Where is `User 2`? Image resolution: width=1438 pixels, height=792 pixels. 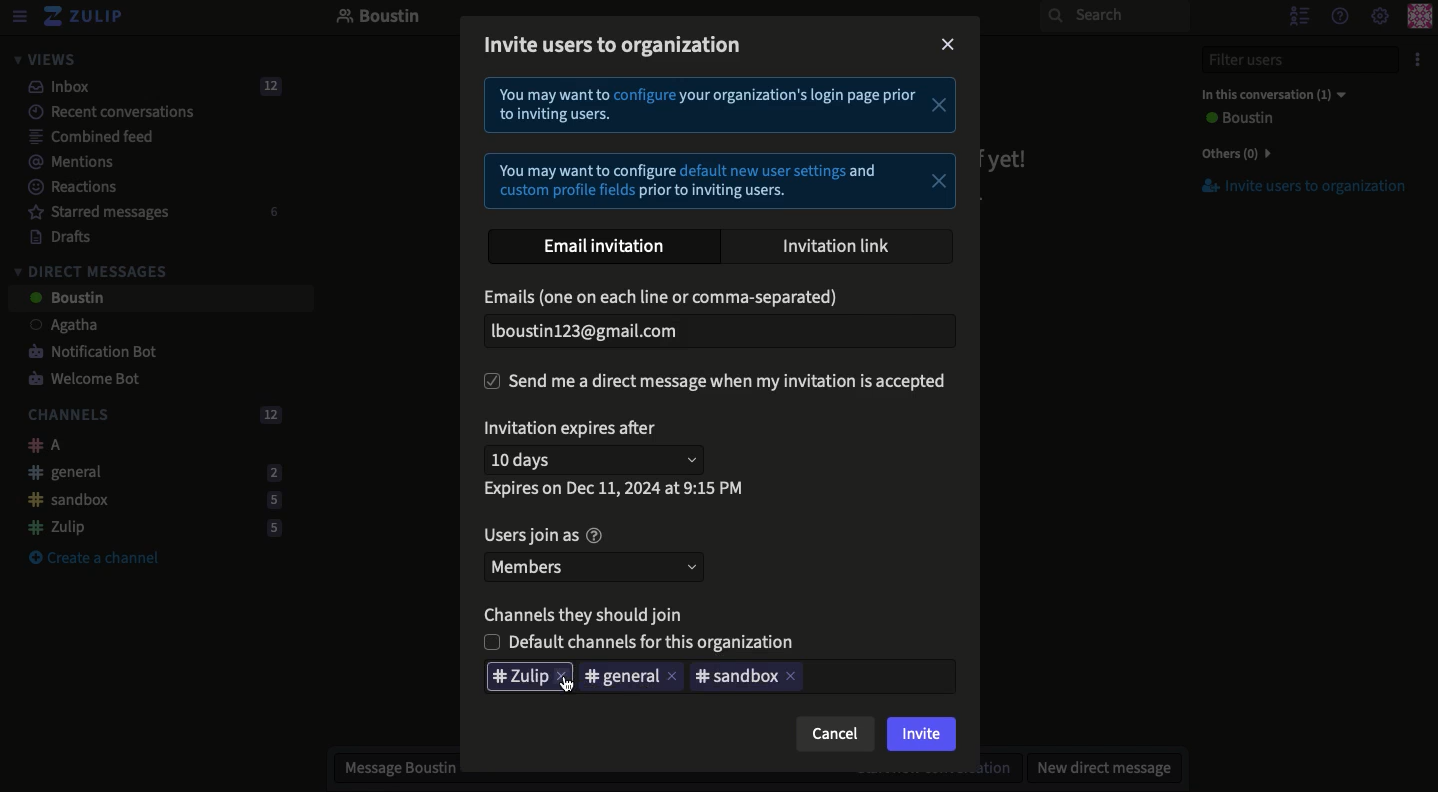
User 2 is located at coordinates (65, 299).